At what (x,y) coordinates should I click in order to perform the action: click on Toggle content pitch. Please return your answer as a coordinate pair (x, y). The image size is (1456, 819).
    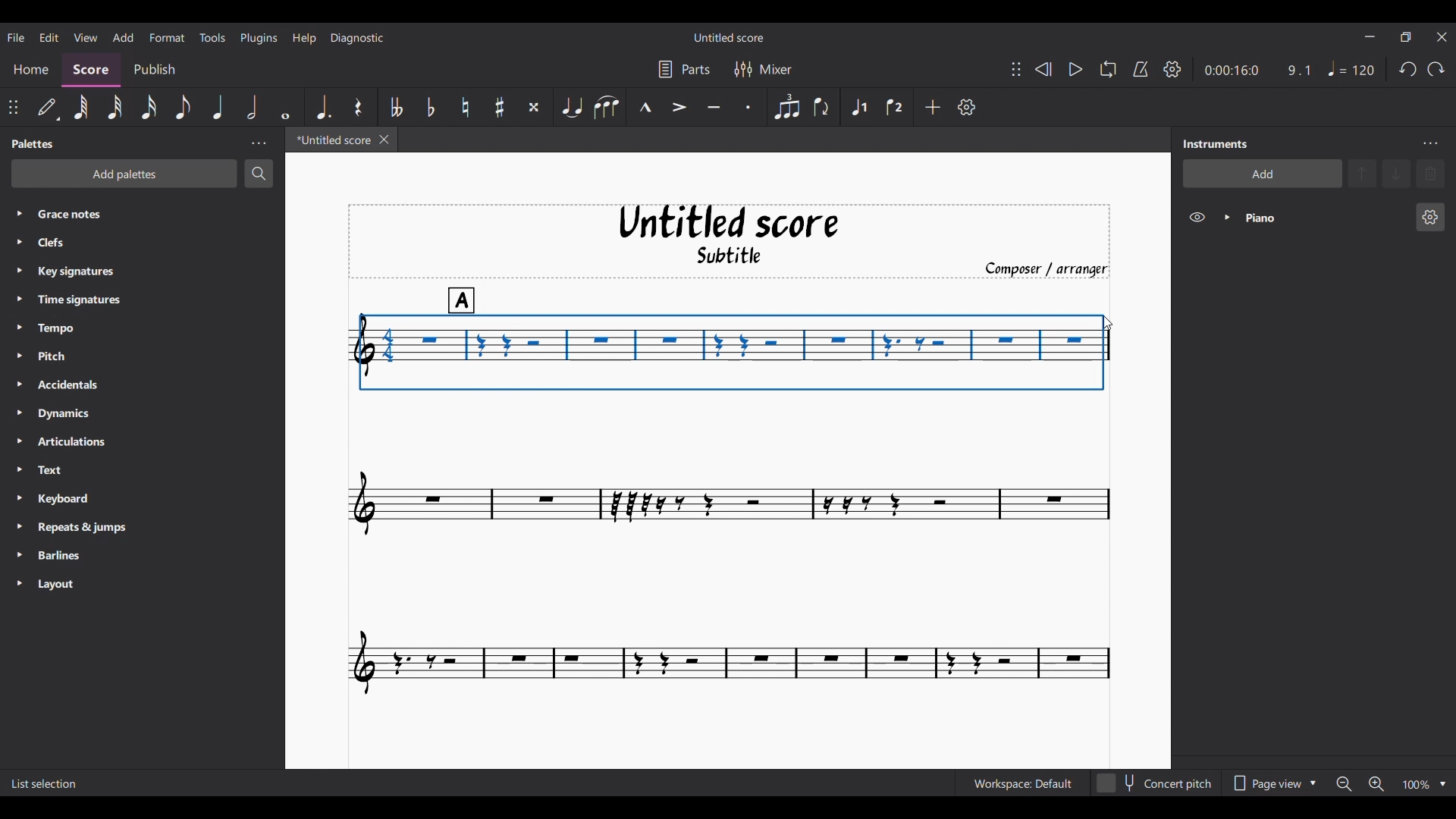
    Looking at the image, I should click on (1156, 783).